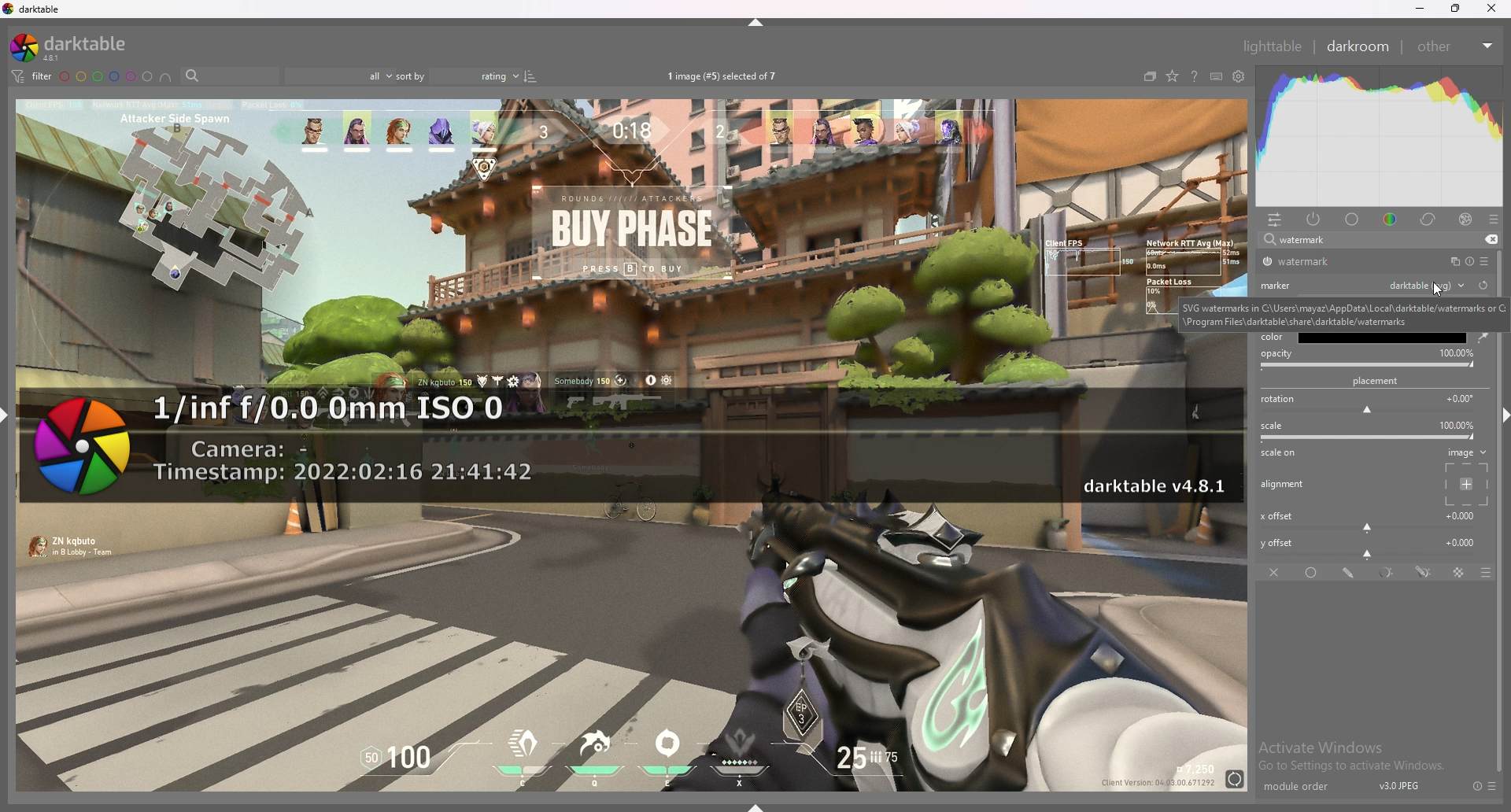 This screenshot has width=1511, height=812. I want to click on scale on, so click(1283, 454).